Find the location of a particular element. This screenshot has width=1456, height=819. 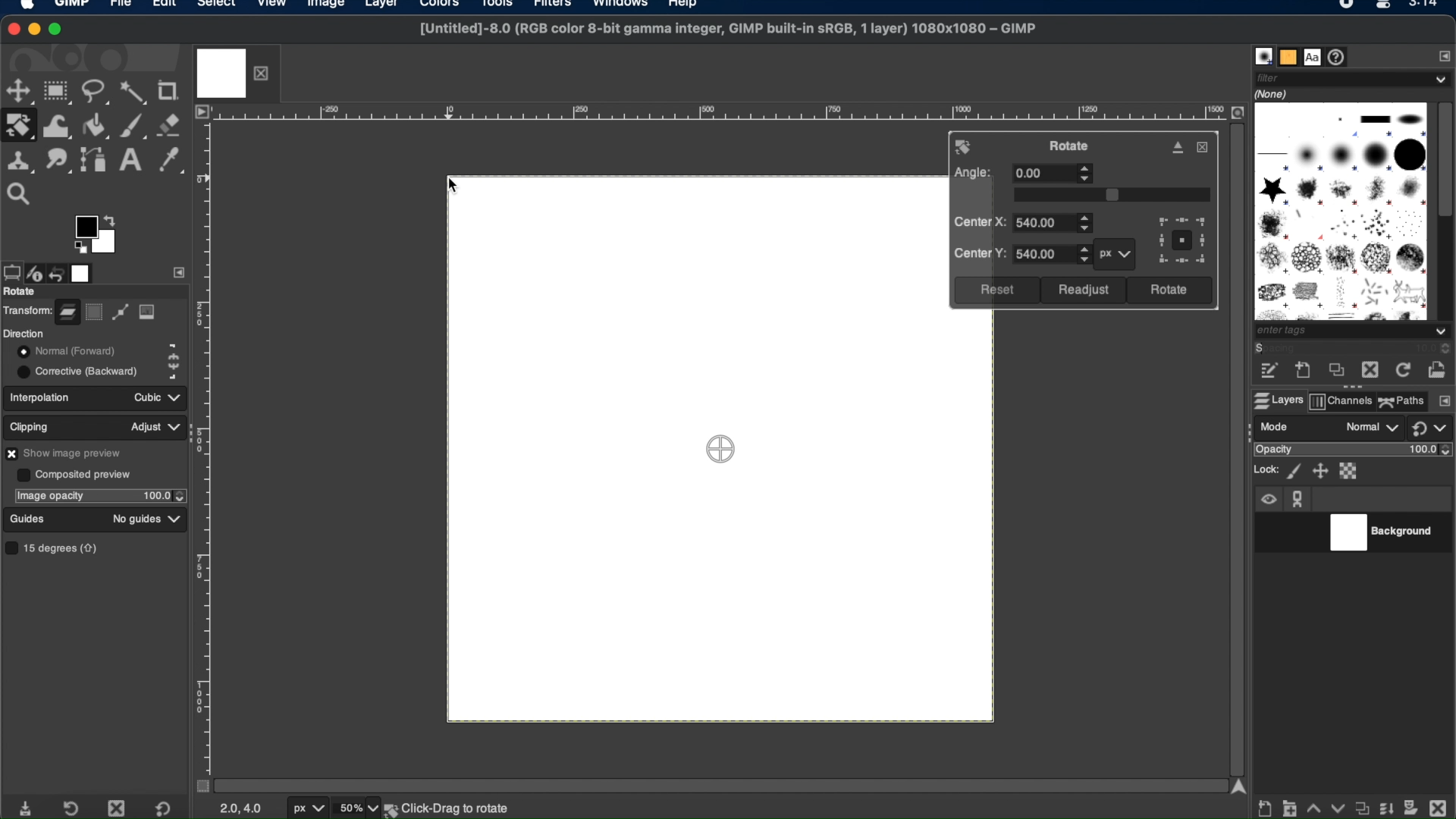

windows is located at coordinates (621, 6).